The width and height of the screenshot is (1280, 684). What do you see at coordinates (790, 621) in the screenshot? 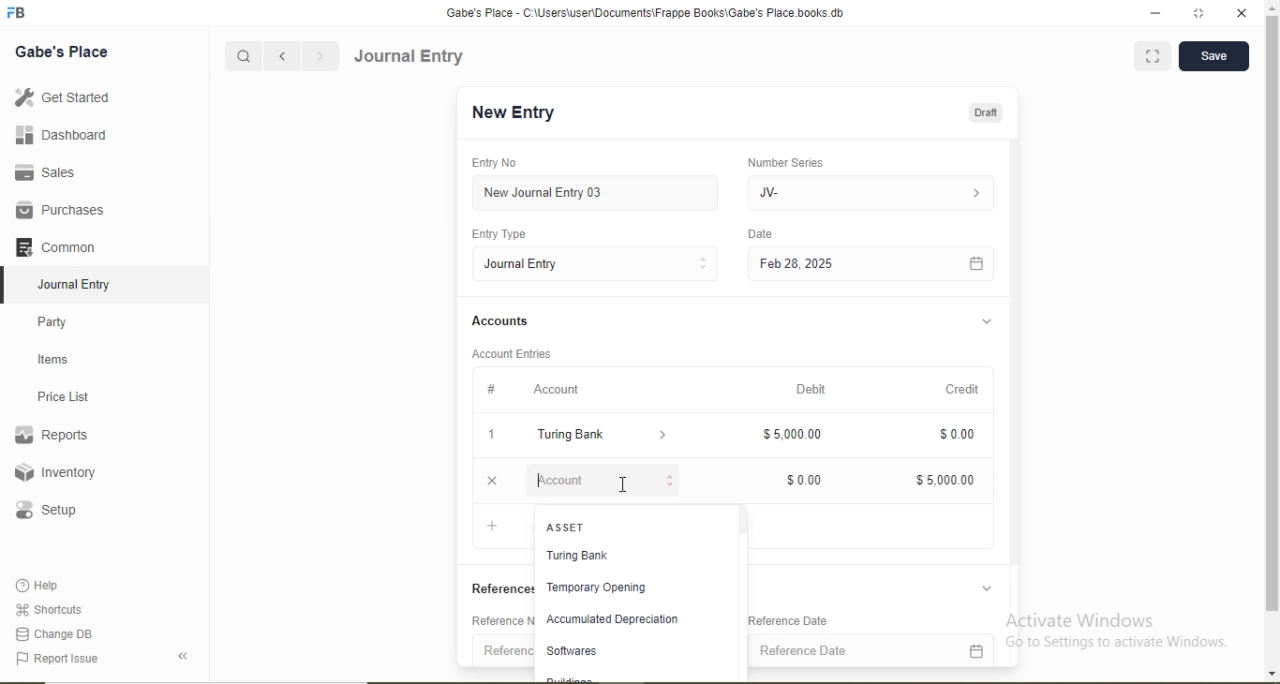
I see `Reference Date` at bounding box center [790, 621].